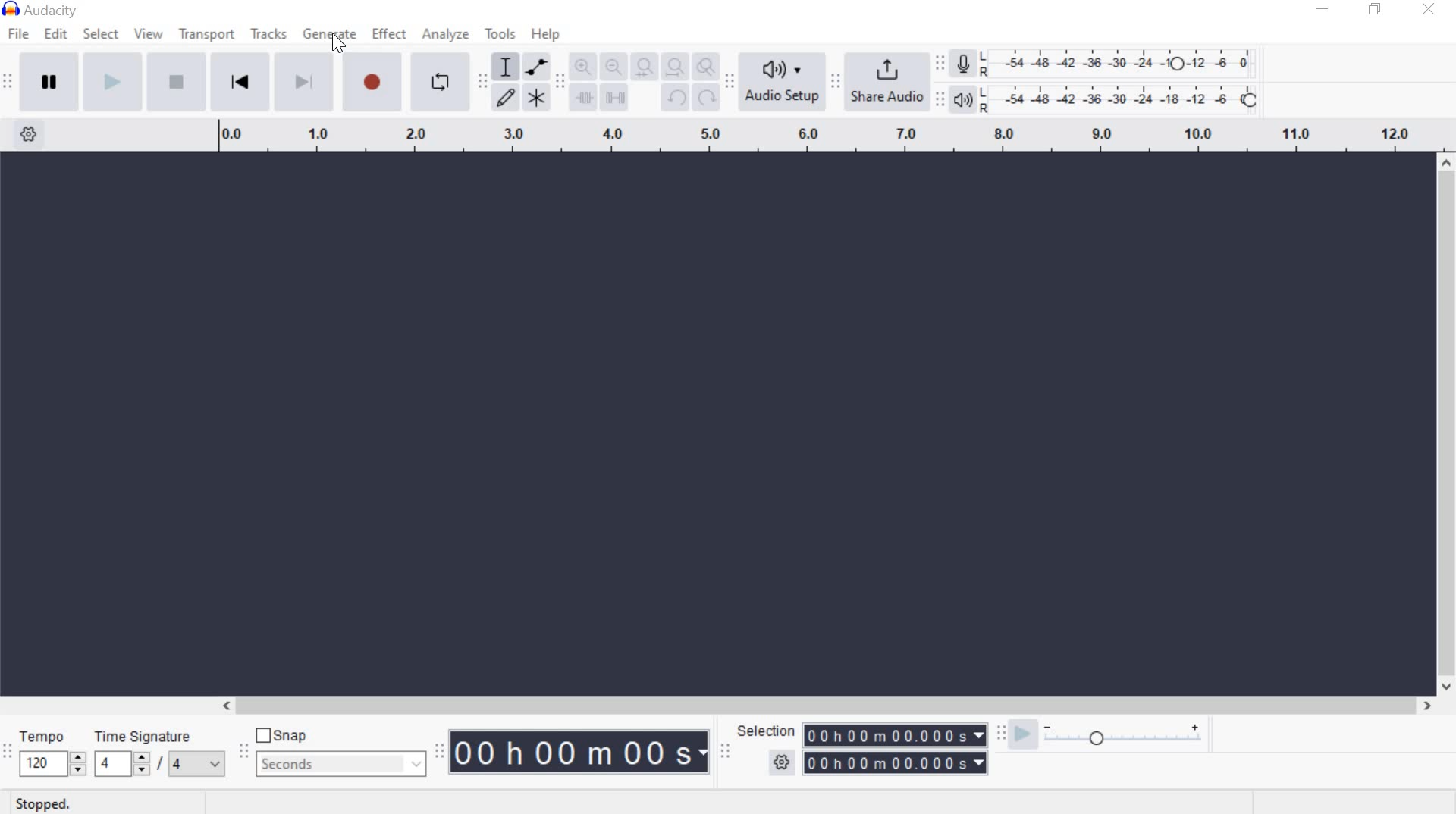 The width and height of the screenshot is (1456, 814). What do you see at coordinates (205, 37) in the screenshot?
I see `transport` at bounding box center [205, 37].